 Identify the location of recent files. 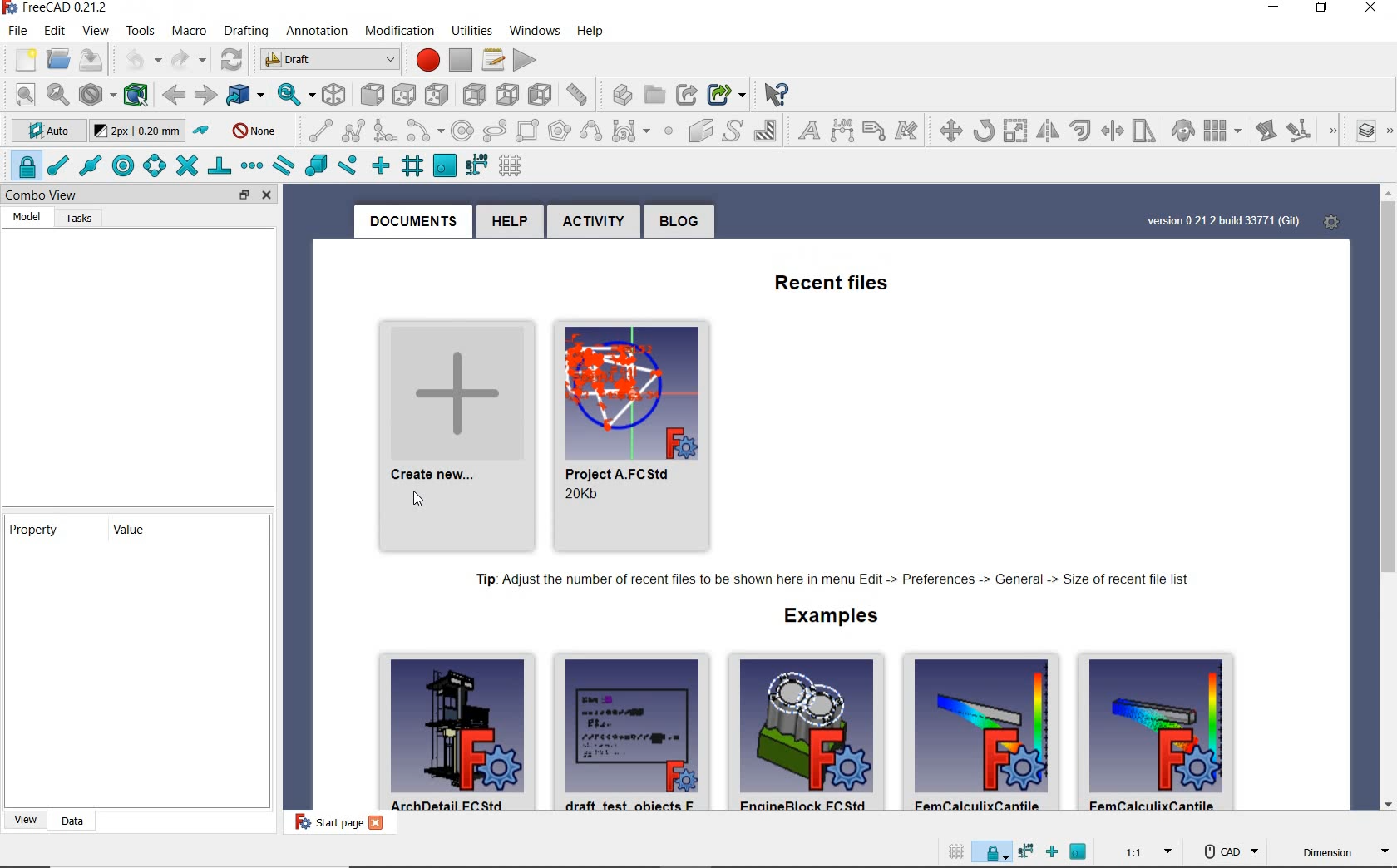
(833, 280).